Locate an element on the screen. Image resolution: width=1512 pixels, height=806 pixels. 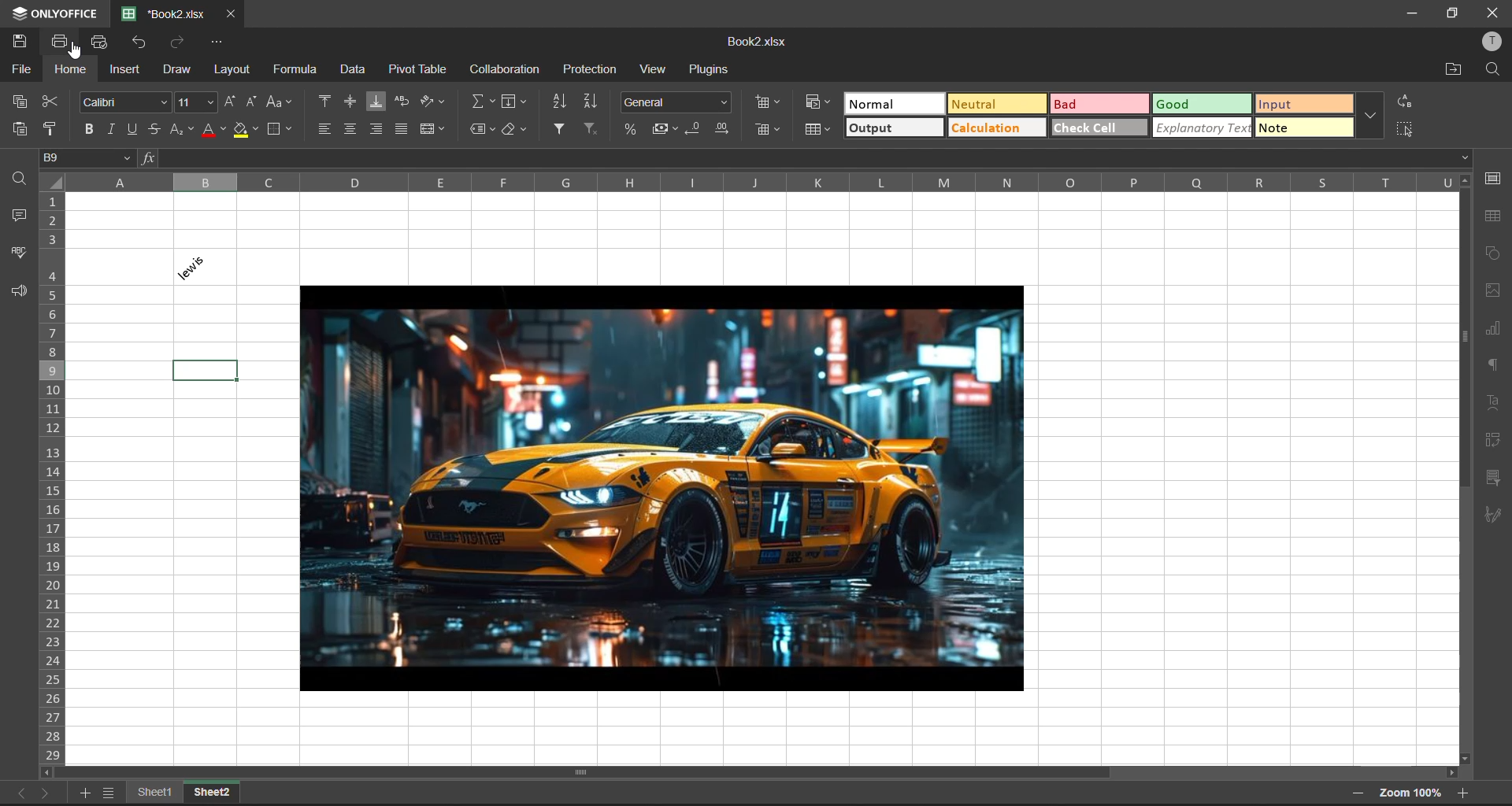
quick print is located at coordinates (102, 42).